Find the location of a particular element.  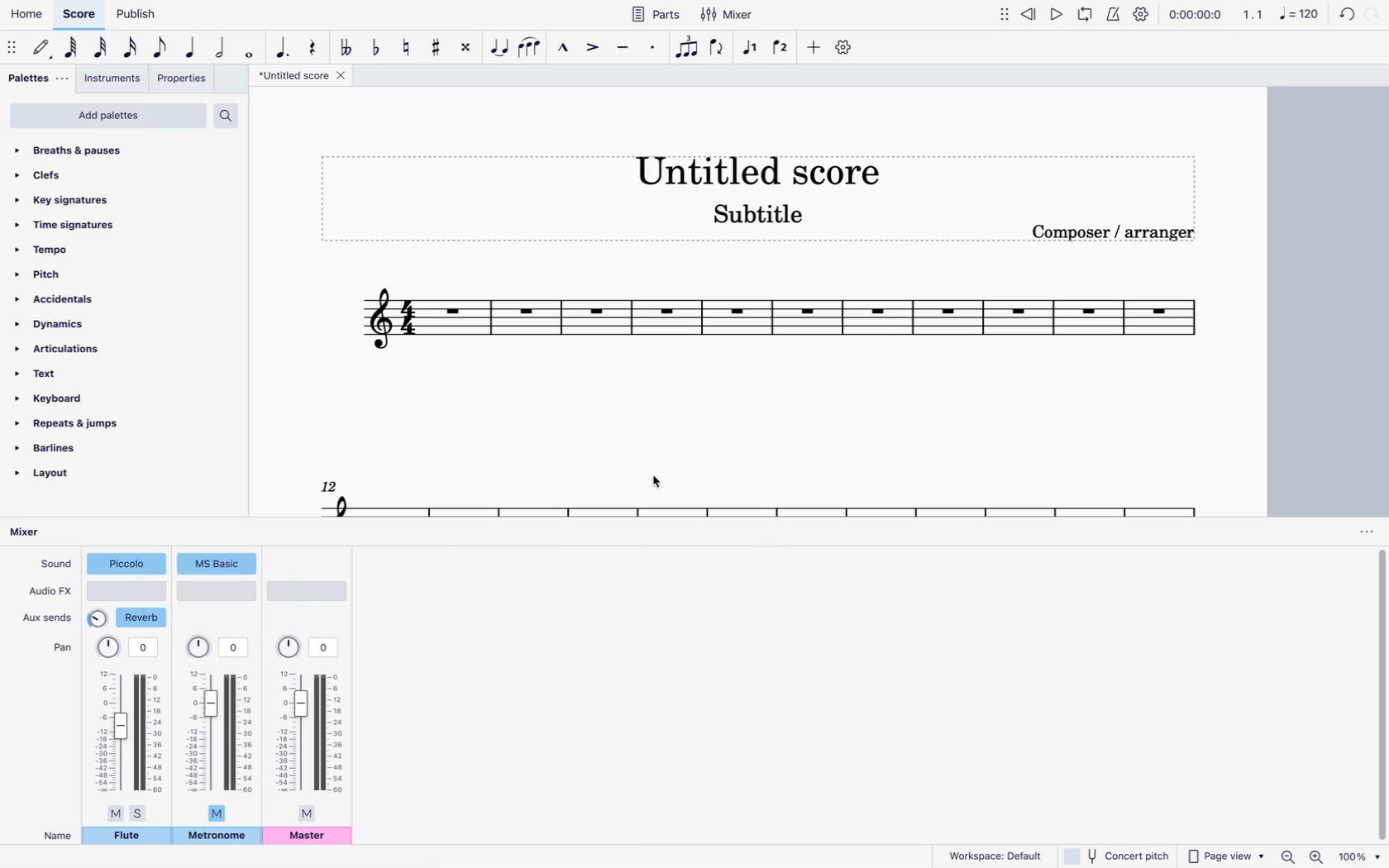

slur is located at coordinates (531, 46).